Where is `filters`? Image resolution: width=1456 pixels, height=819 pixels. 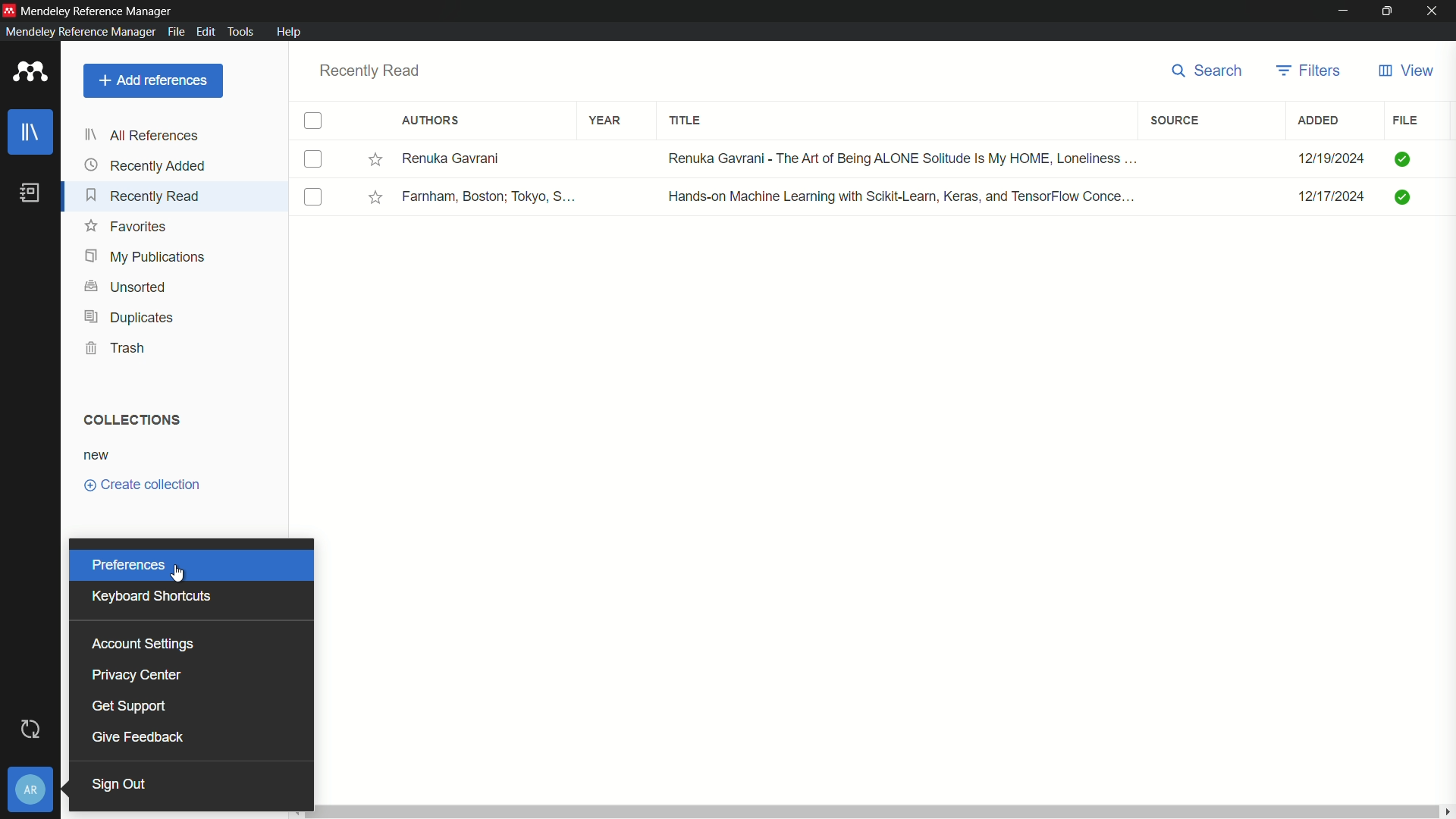
filters is located at coordinates (1311, 72).